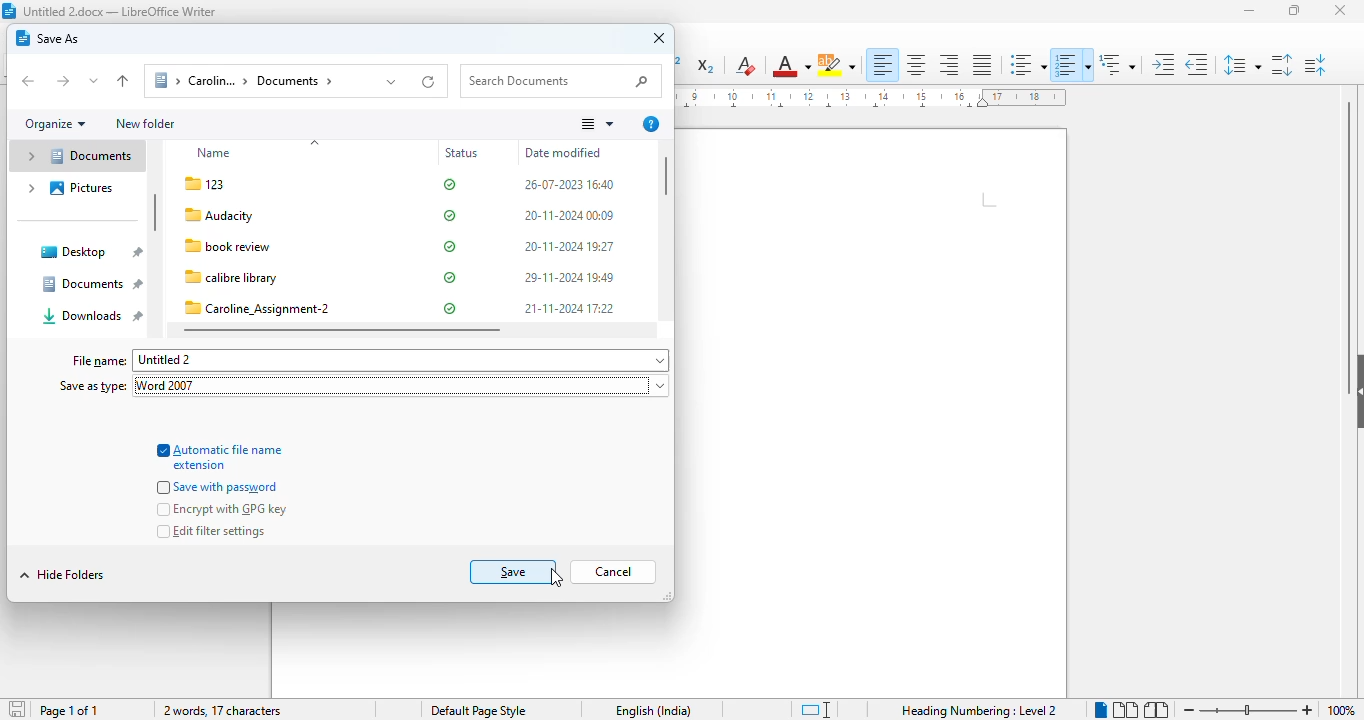  What do you see at coordinates (1197, 64) in the screenshot?
I see `decrease indent` at bounding box center [1197, 64].